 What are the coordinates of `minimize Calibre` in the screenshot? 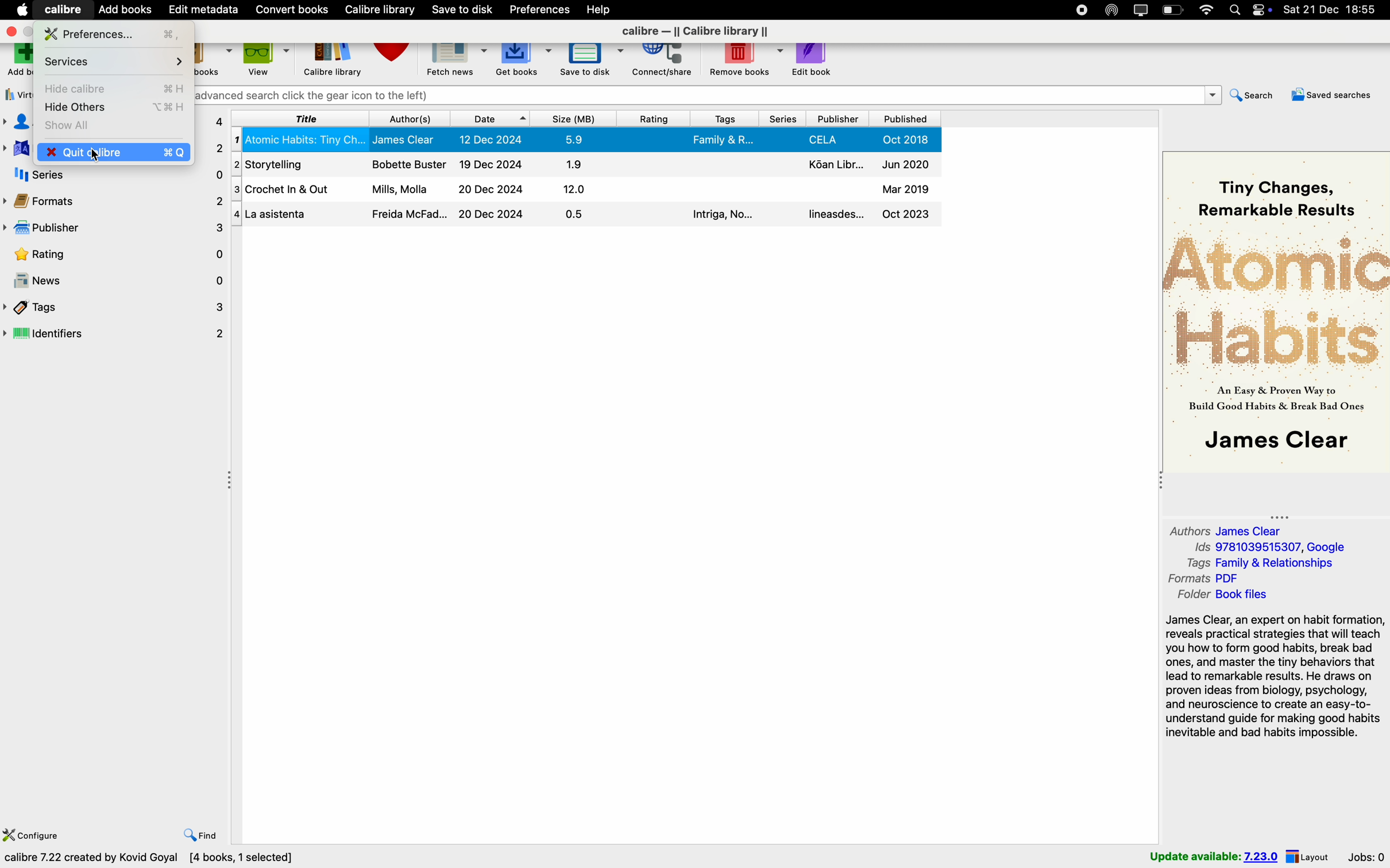 It's located at (30, 32).